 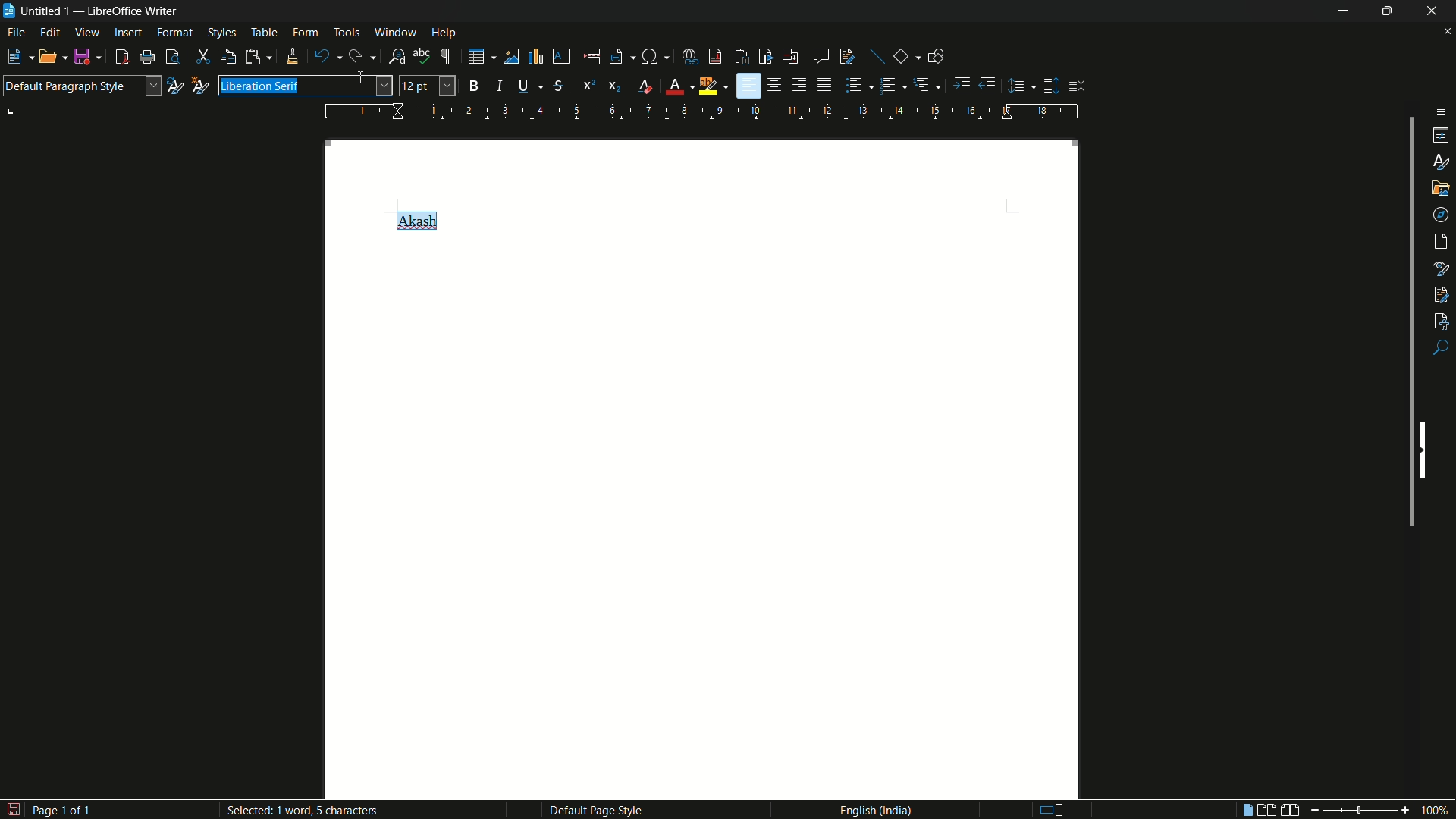 What do you see at coordinates (305, 32) in the screenshot?
I see `form menu` at bounding box center [305, 32].